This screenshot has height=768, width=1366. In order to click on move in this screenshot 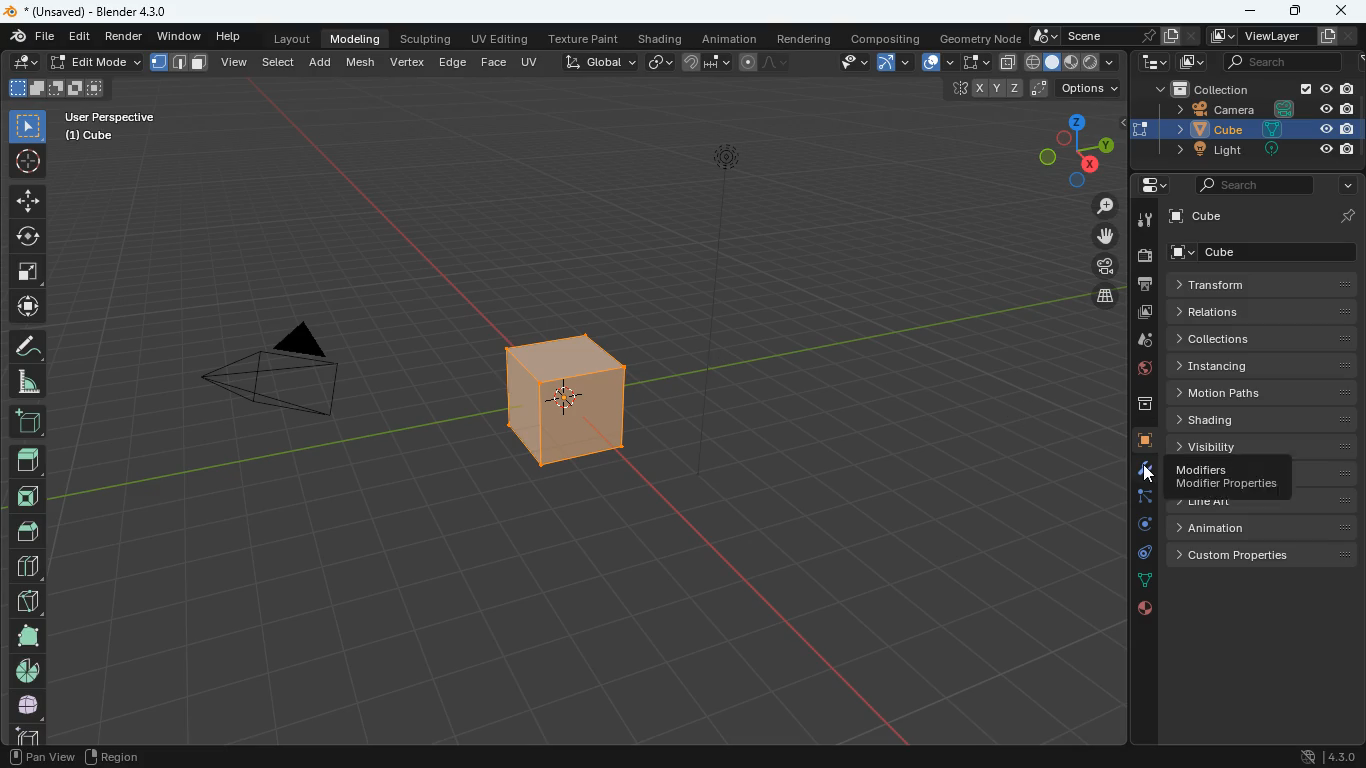, I will do `click(1100, 238)`.